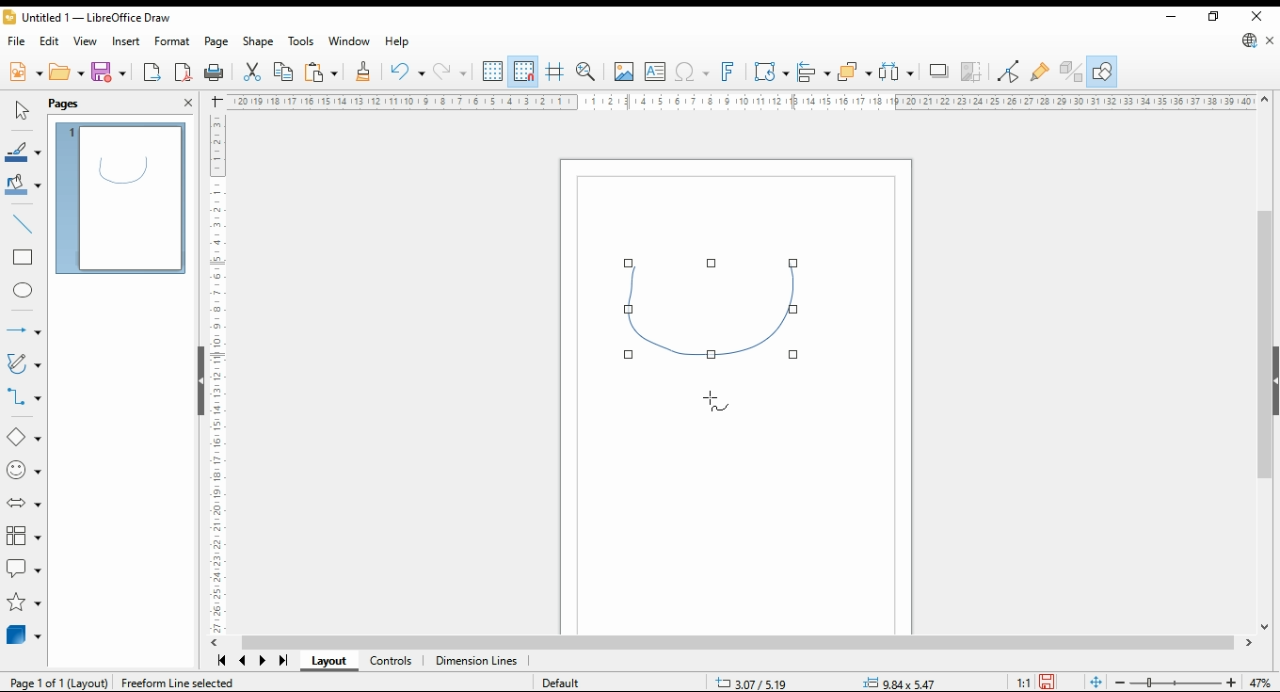 This screenshot has height=692, width=1280. I want to click on insert special character, so click(690, 73).